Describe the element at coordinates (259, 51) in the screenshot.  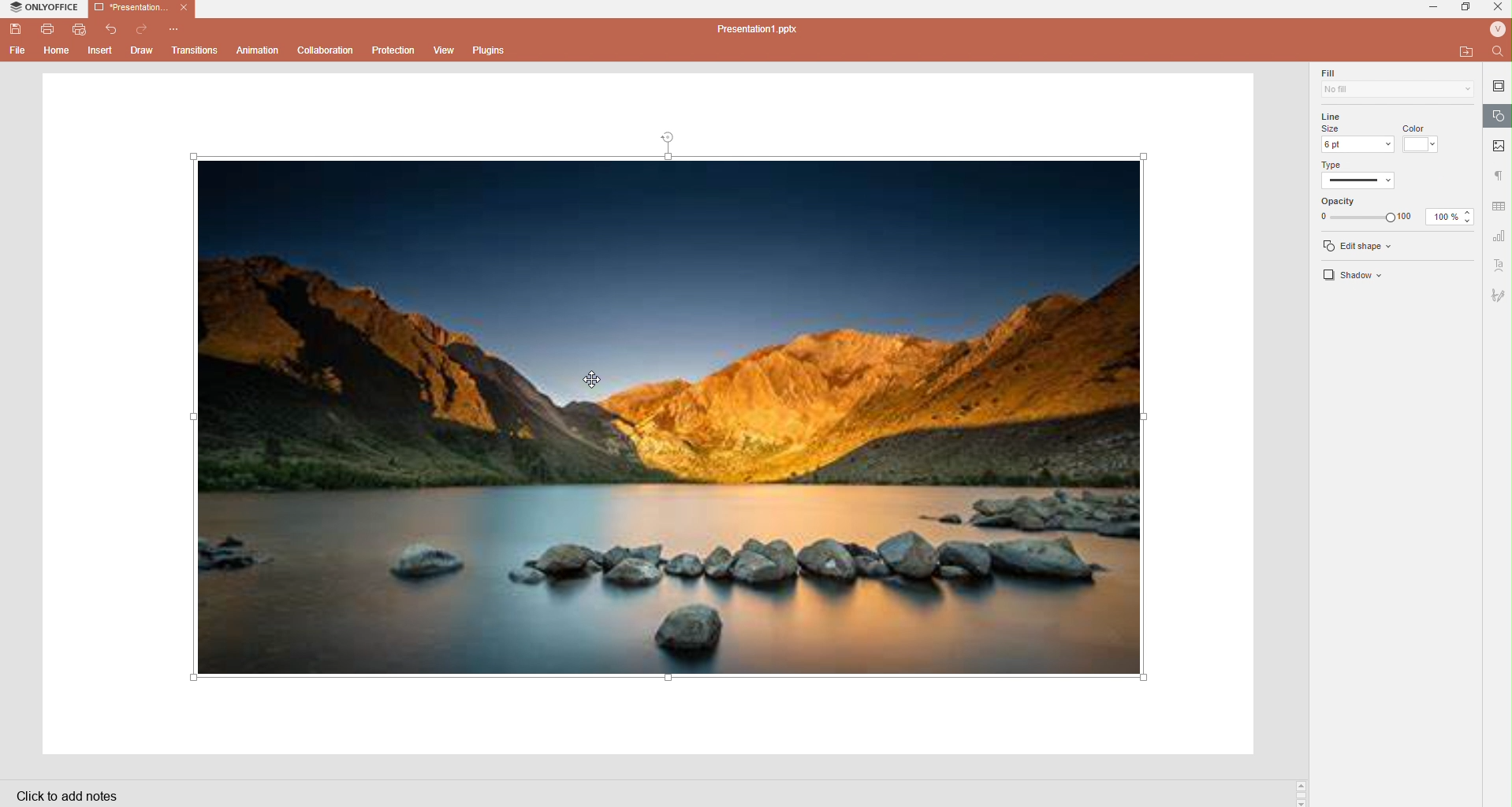
I see `Animation` at that location.